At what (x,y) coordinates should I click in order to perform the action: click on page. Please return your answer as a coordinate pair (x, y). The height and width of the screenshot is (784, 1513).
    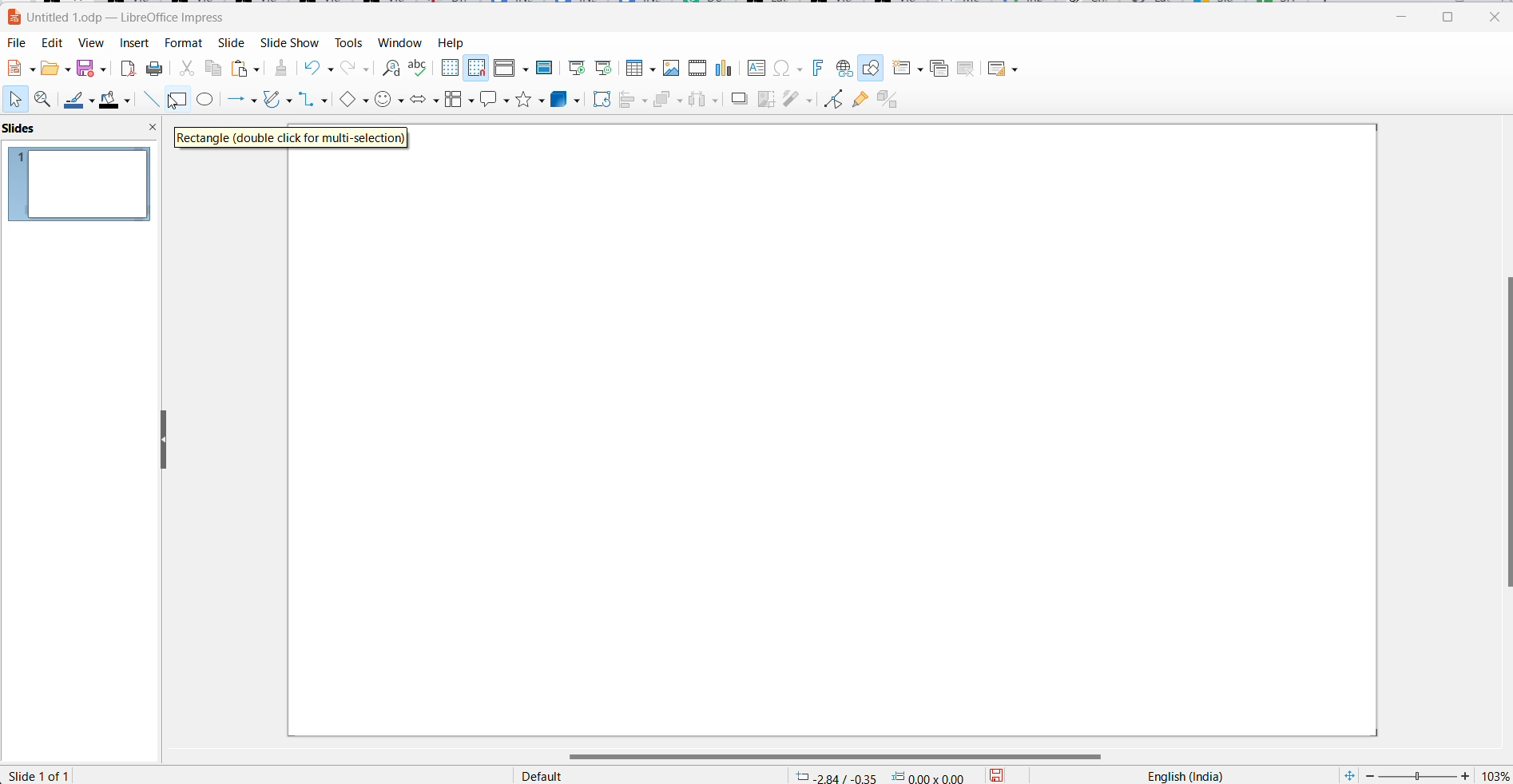
    Looking at the image, I should click on (832, 430).